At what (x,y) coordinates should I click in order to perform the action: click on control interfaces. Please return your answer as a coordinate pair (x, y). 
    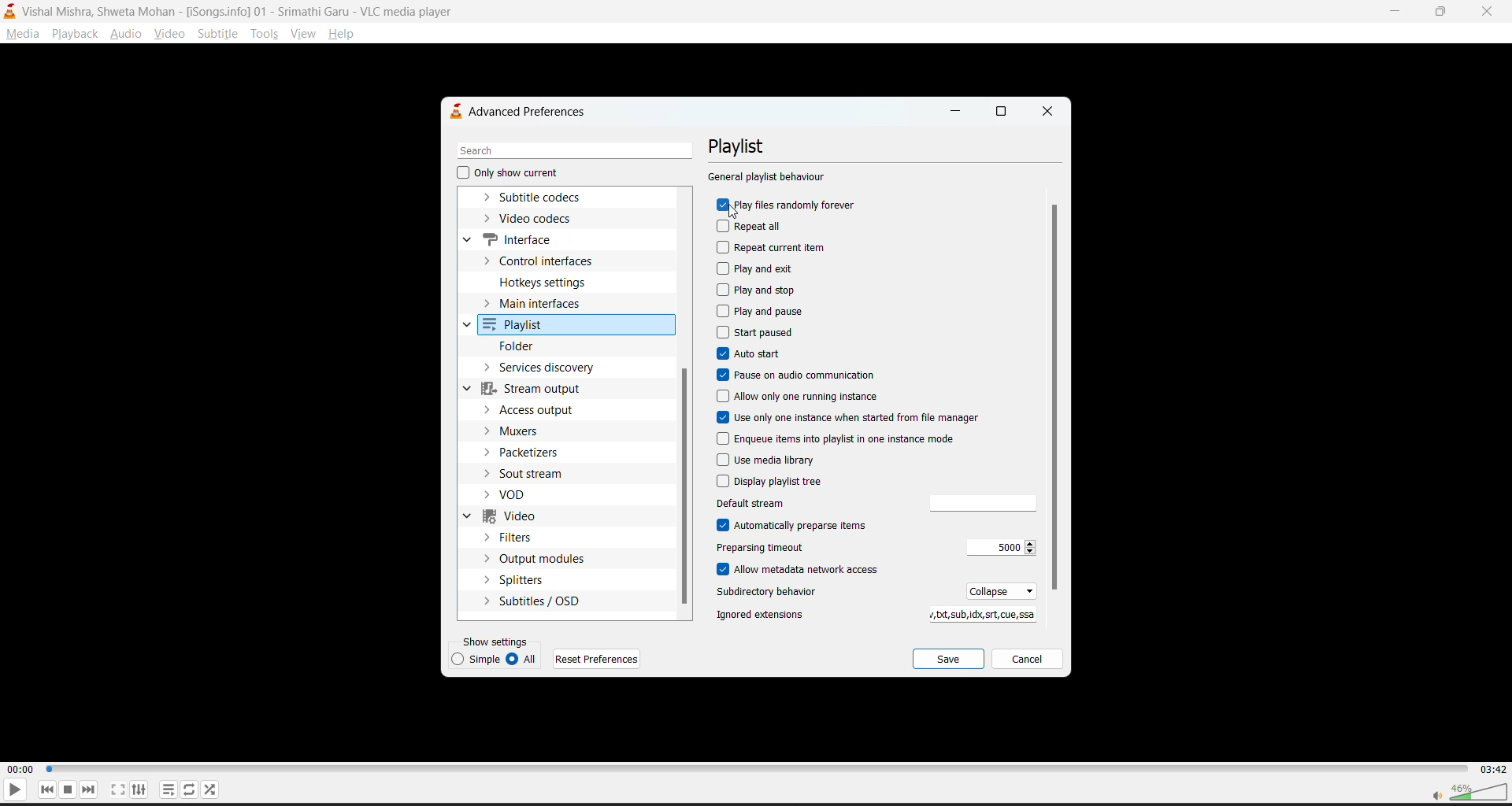
    Looking at the image, I should click on (544, 261).